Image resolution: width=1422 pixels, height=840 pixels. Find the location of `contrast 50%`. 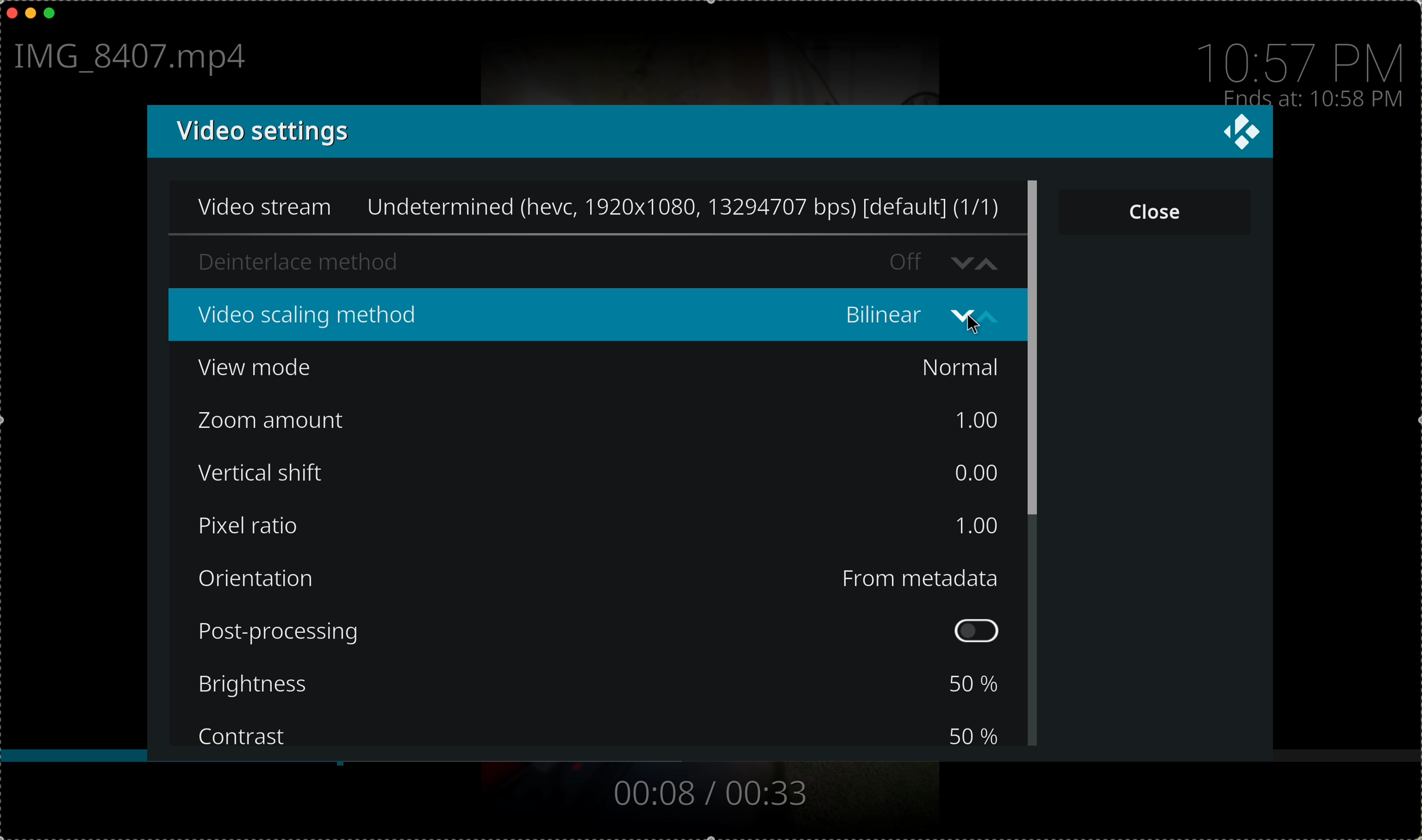

contrast 50% is located at coordinates (598, 732).